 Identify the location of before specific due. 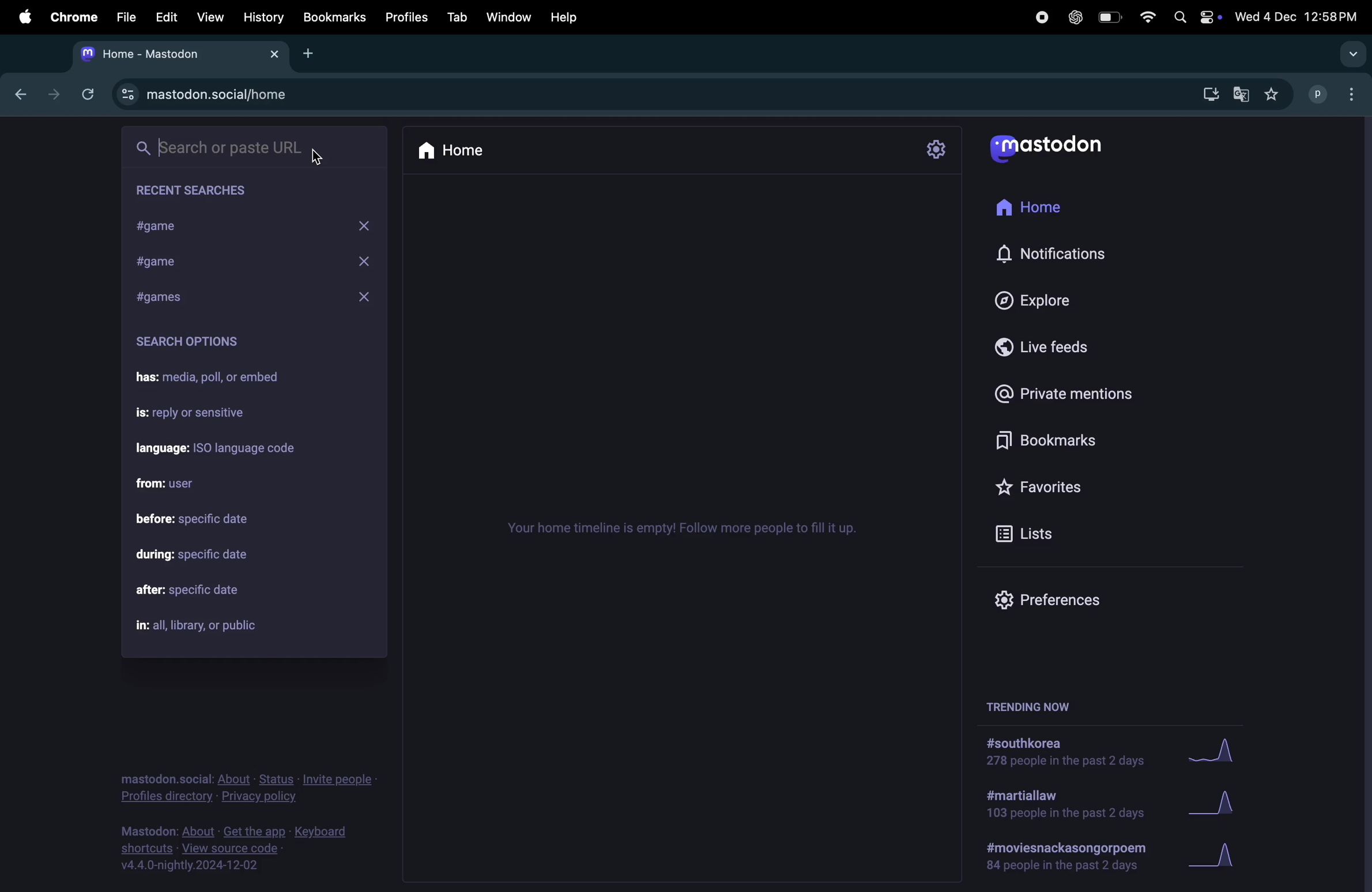
(207, 520).